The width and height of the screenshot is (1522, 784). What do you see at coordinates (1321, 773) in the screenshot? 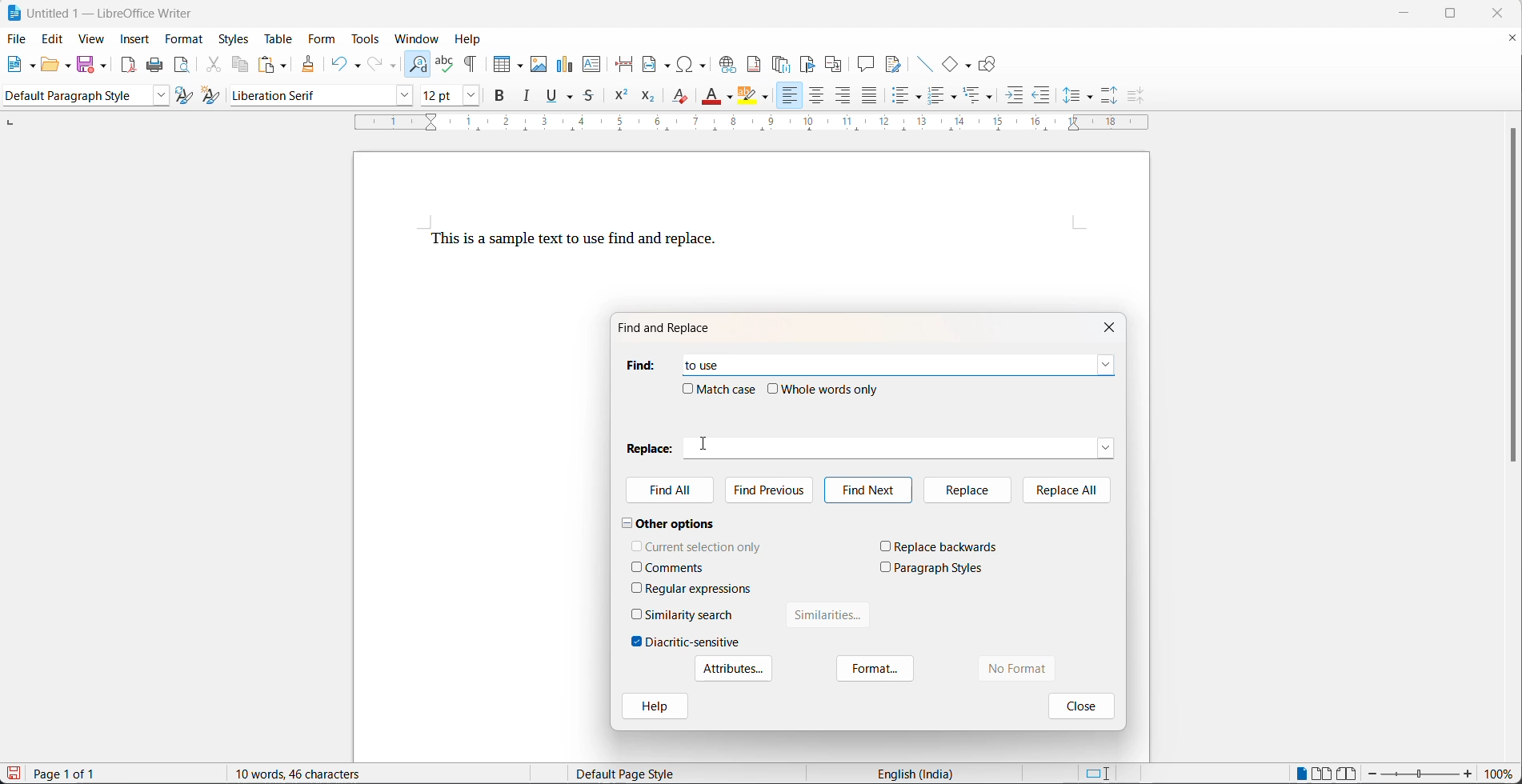
I see `multipage view` at bounding box center [1321, 773].